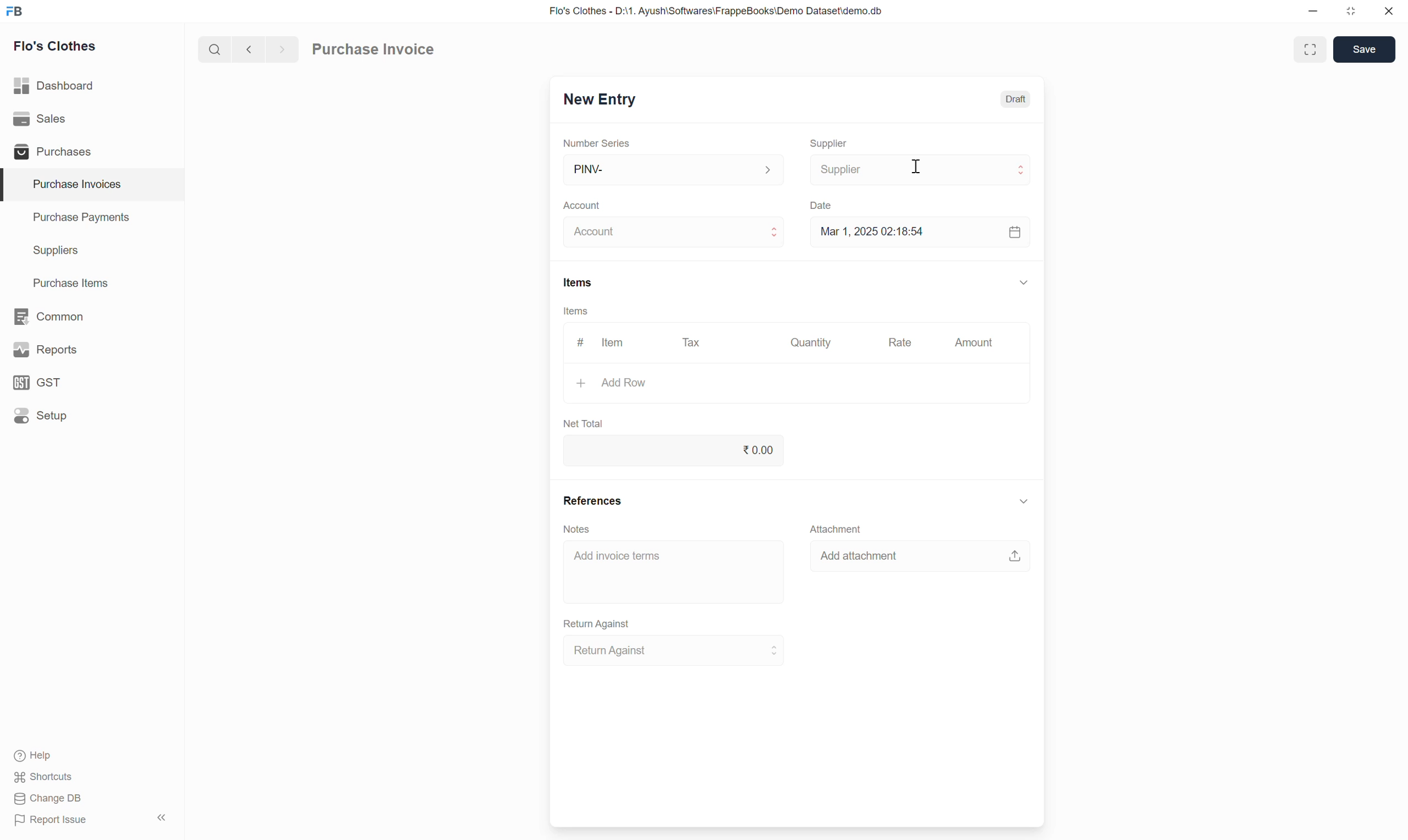  What do you see at coordinates (1024, 501) in the screenshot?
I see `Collapse` at bounding box center [1024, 501].